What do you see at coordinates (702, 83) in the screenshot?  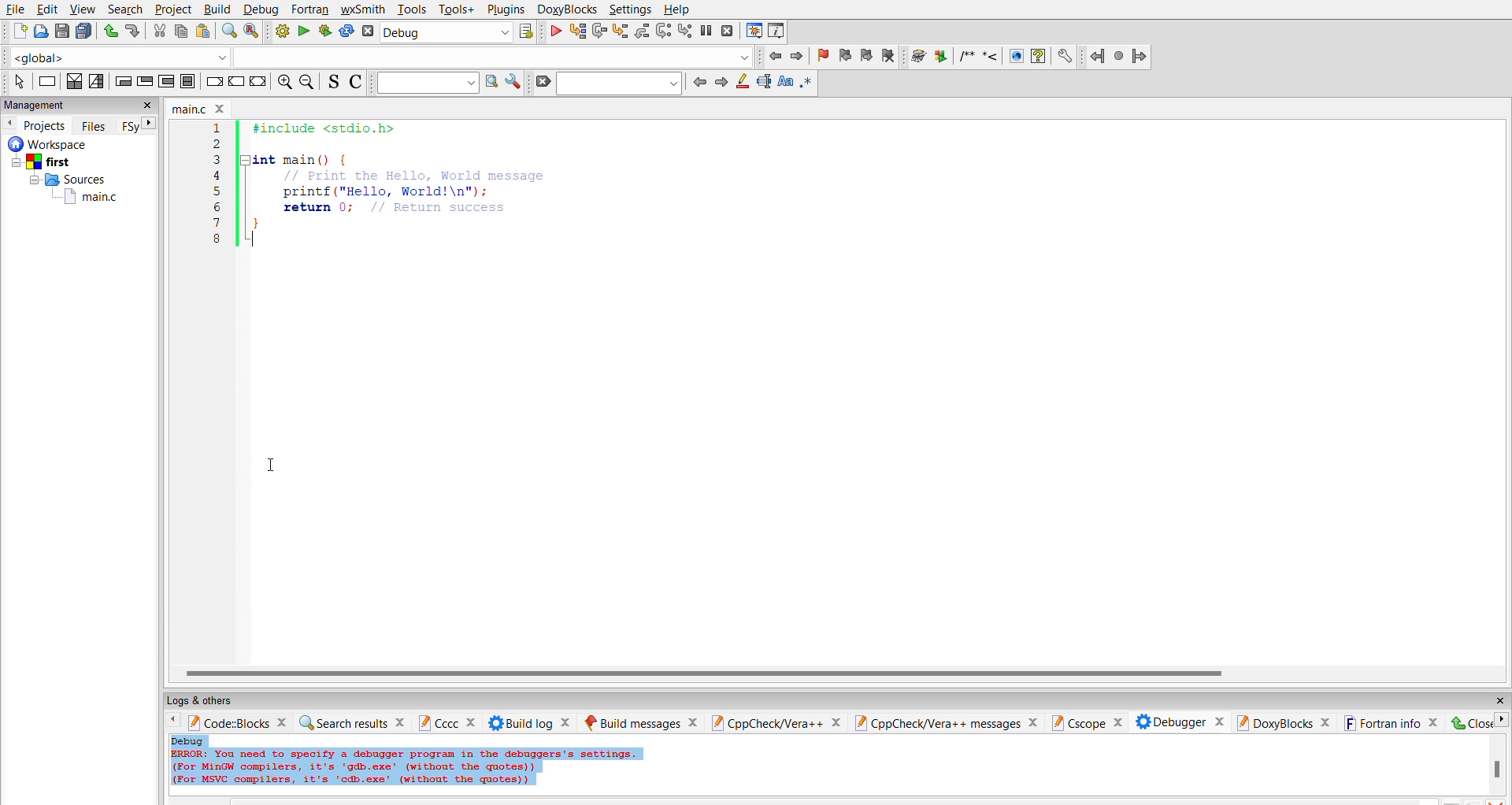 I see `previous` at bounding box center [702, 83].